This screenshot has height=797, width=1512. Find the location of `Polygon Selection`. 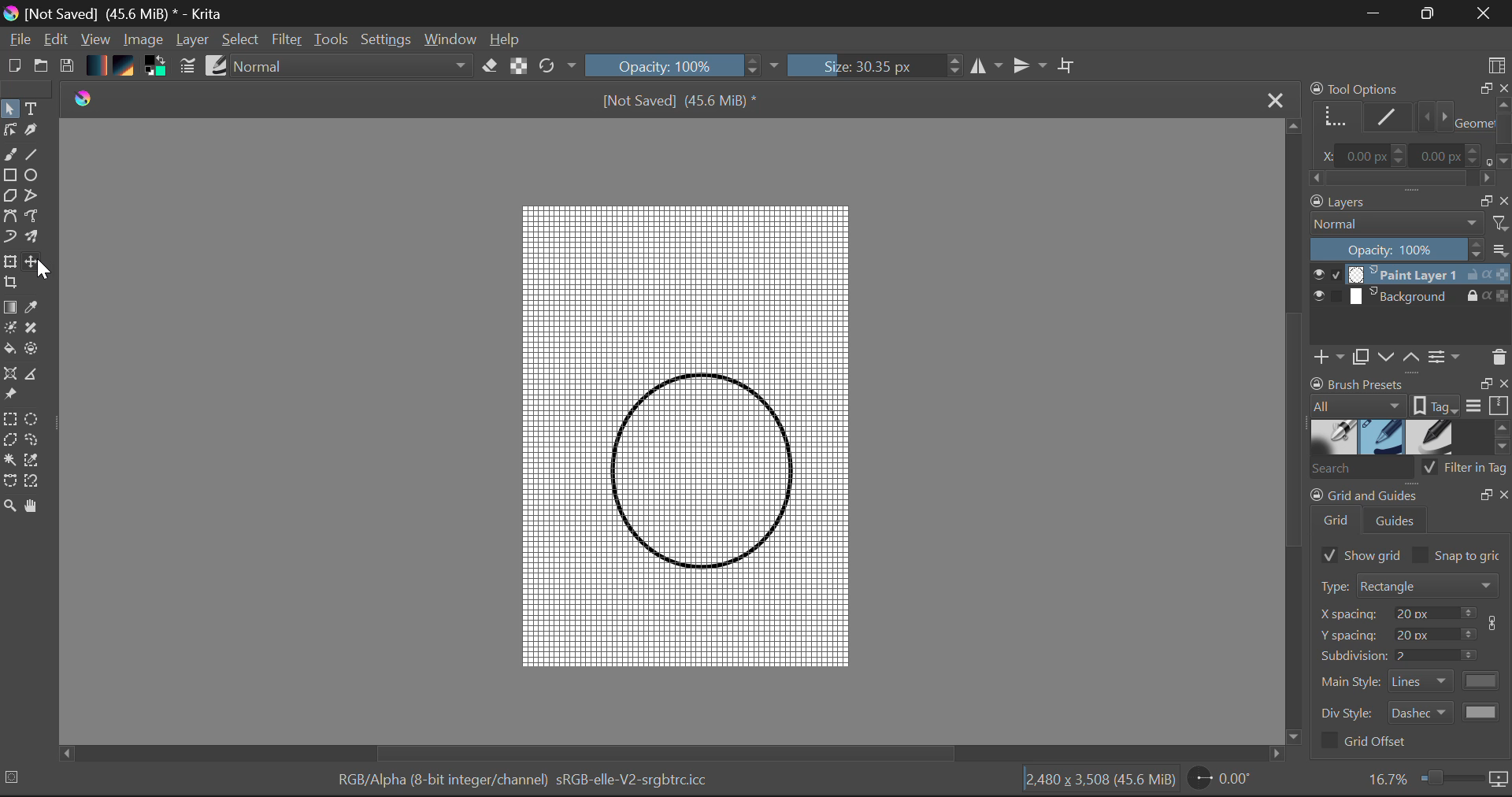

Polygon Selection is located at coordinates (10, 441).